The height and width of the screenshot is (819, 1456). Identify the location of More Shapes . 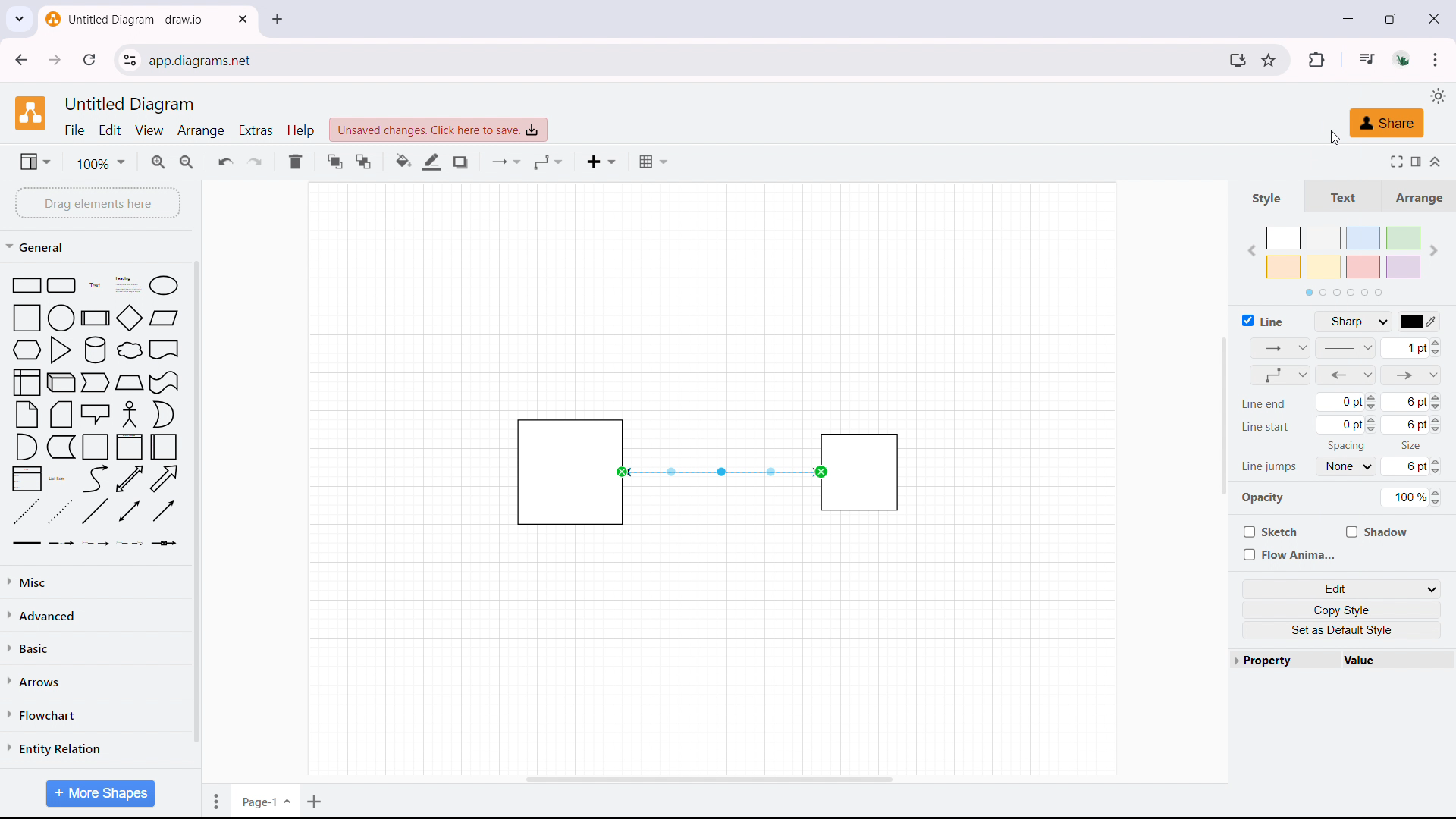
(99, 792).